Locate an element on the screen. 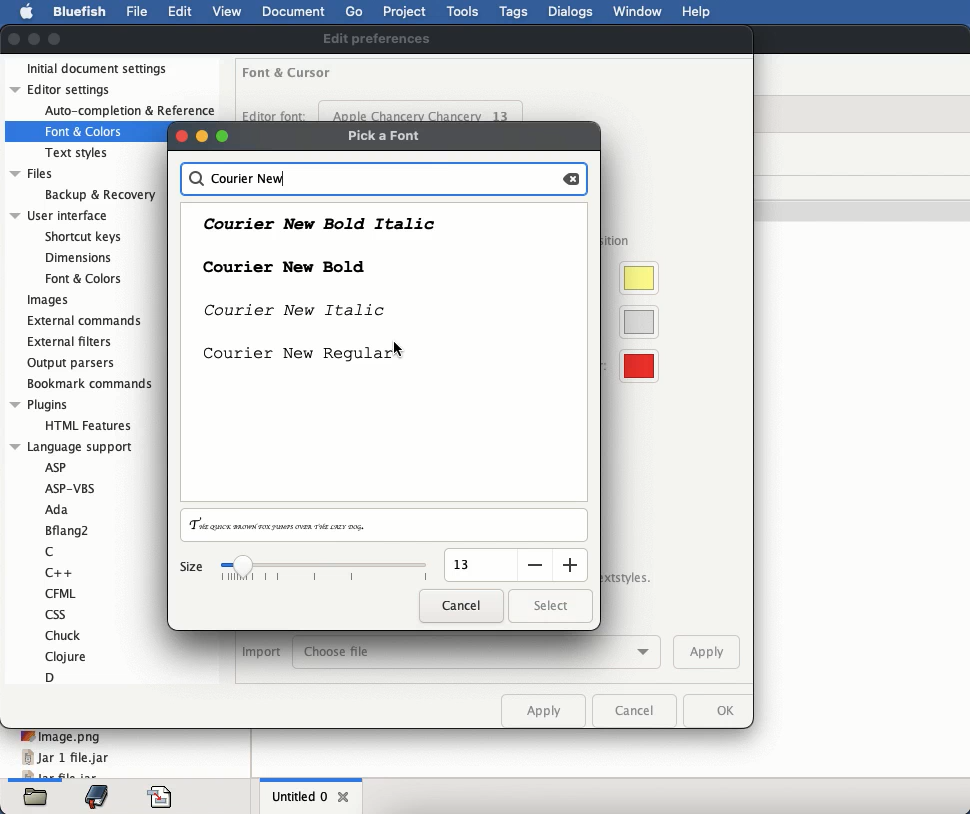 This screenshot has width=970, height=814. tools is located at coordinates (464, 12).